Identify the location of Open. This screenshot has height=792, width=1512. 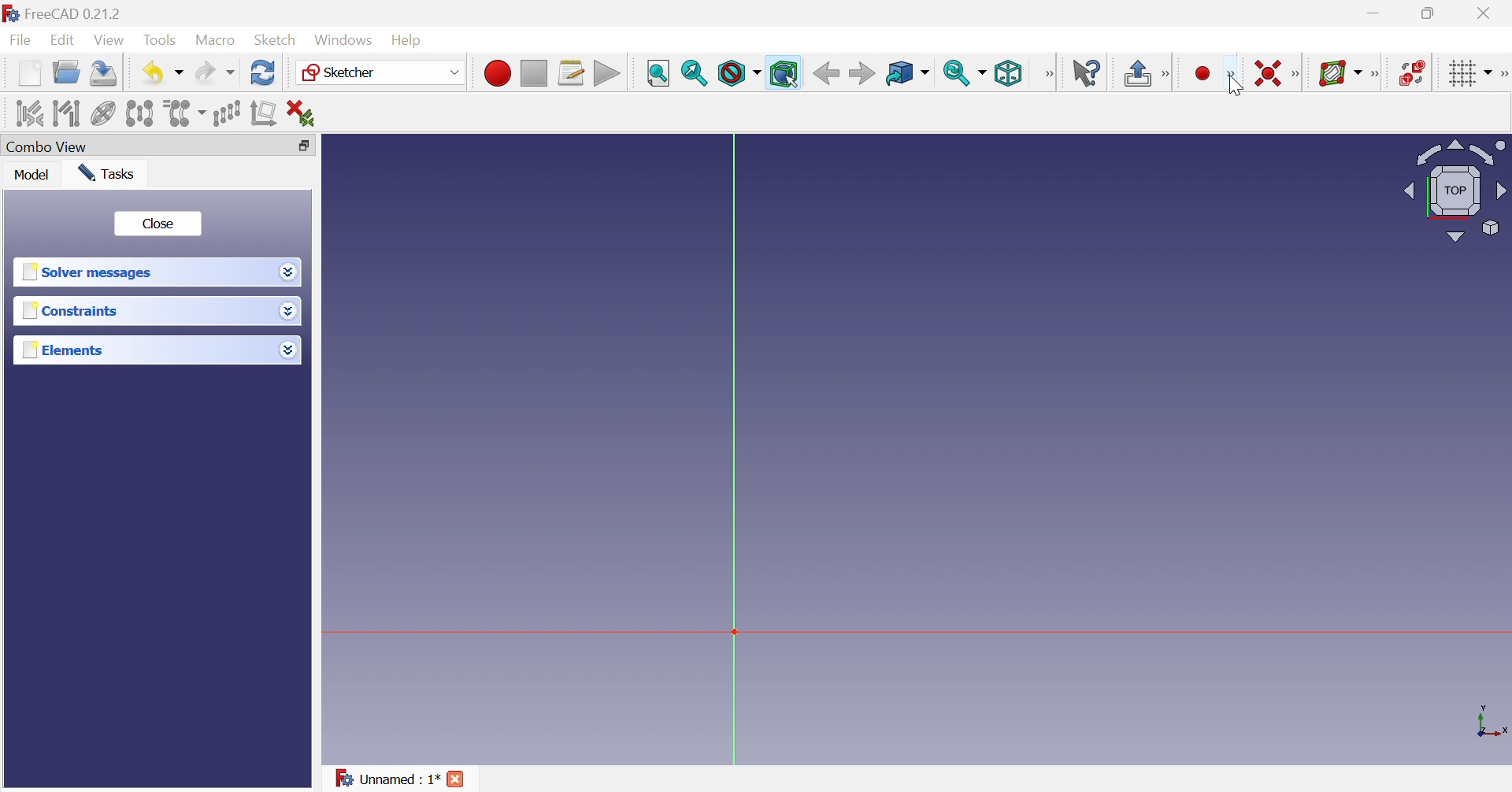
(67, 72).